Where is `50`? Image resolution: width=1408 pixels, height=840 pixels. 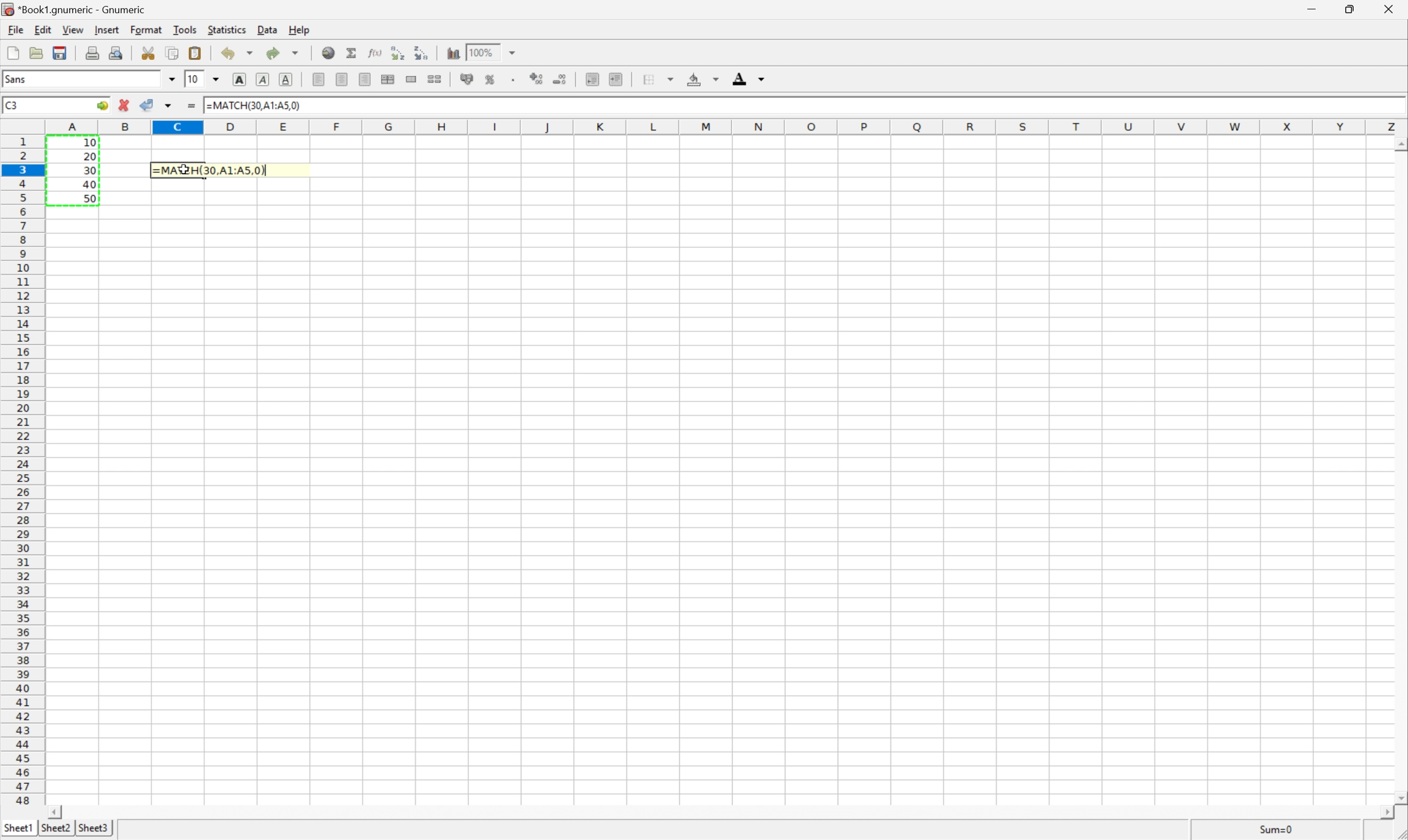
50 is located at coordinates (89, 198).